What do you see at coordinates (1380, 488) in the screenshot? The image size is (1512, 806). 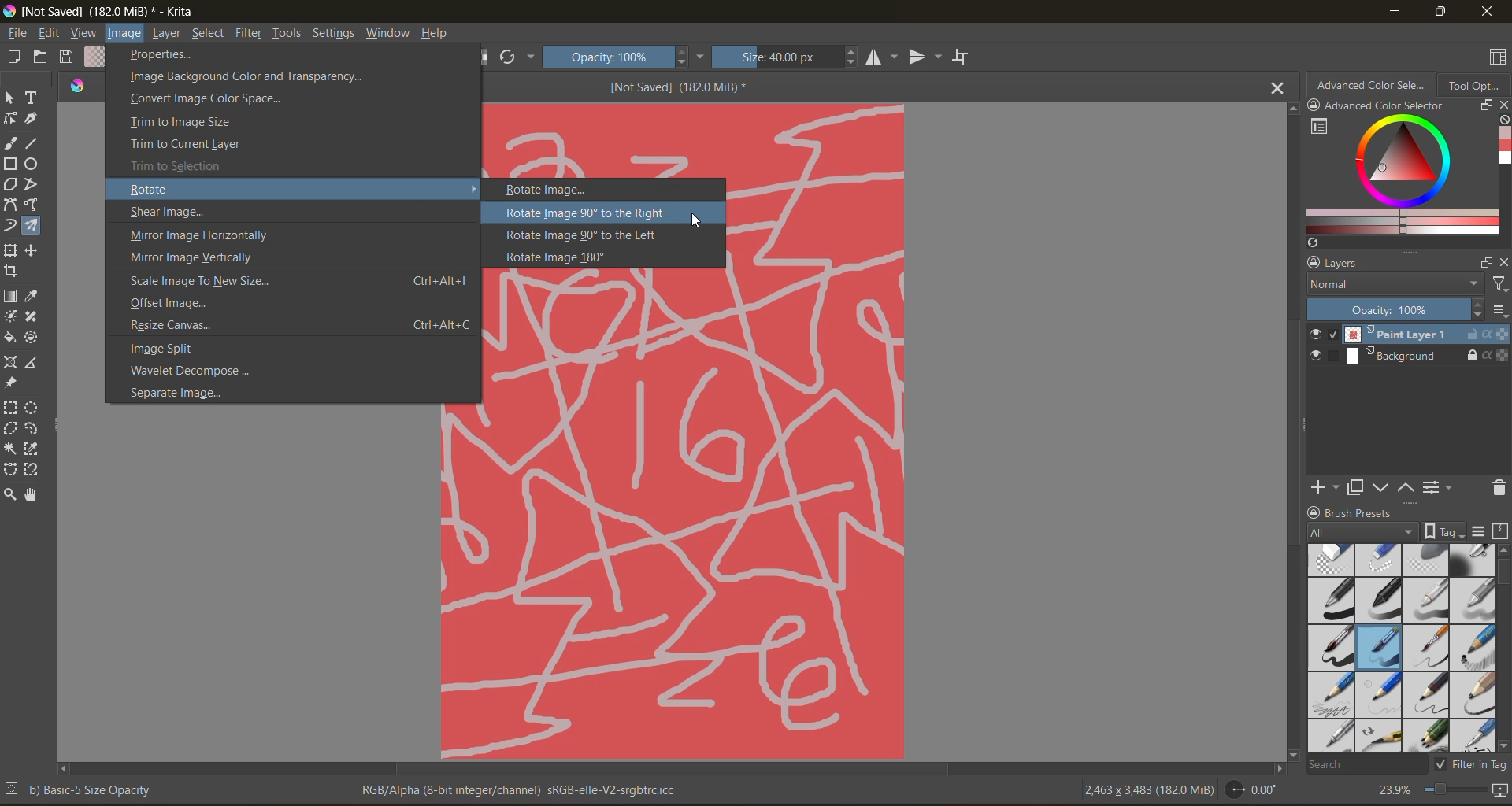 I see `mask down` at bounding box center [1380, 488].